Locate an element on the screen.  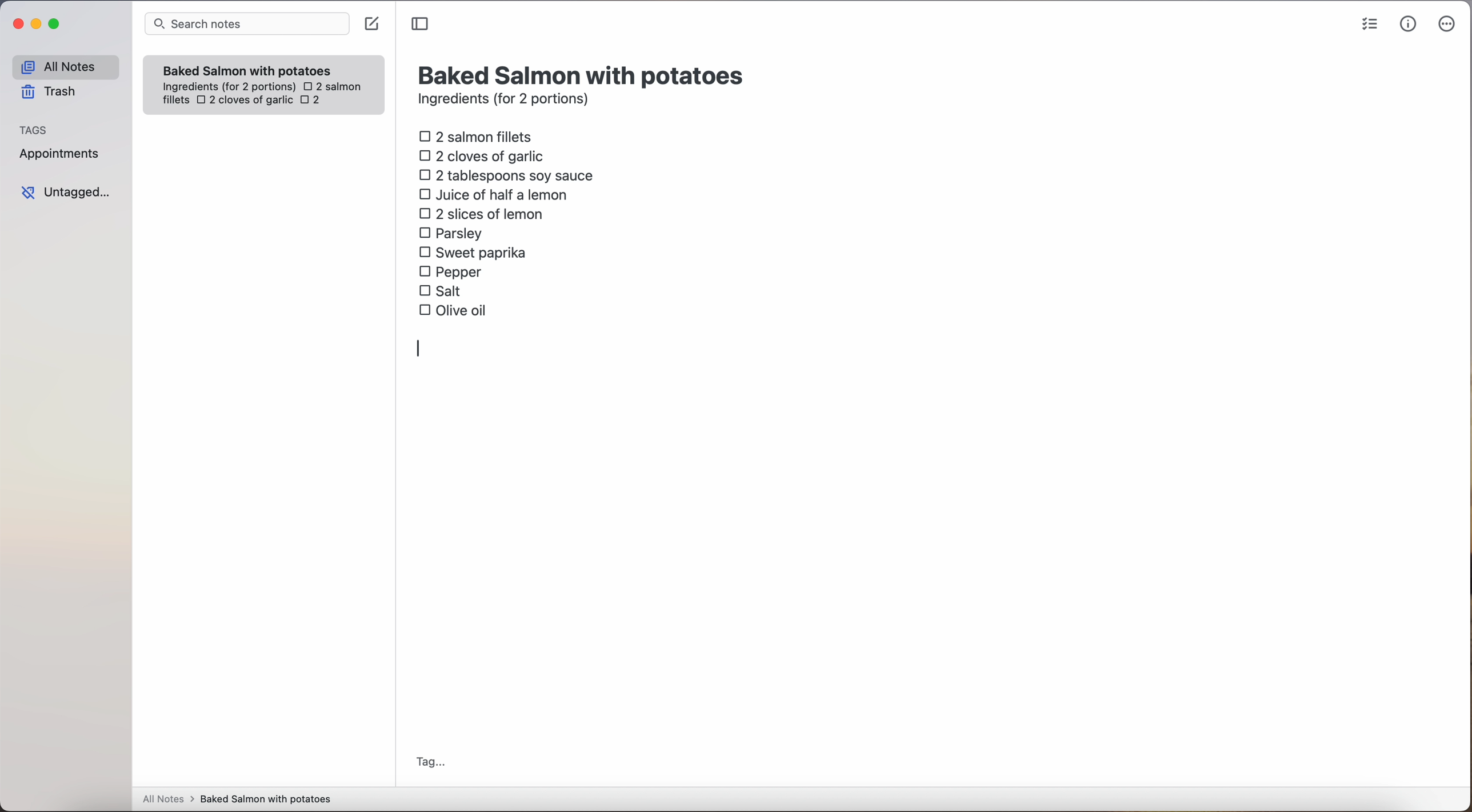
enter is located at coordinates (422, 350).